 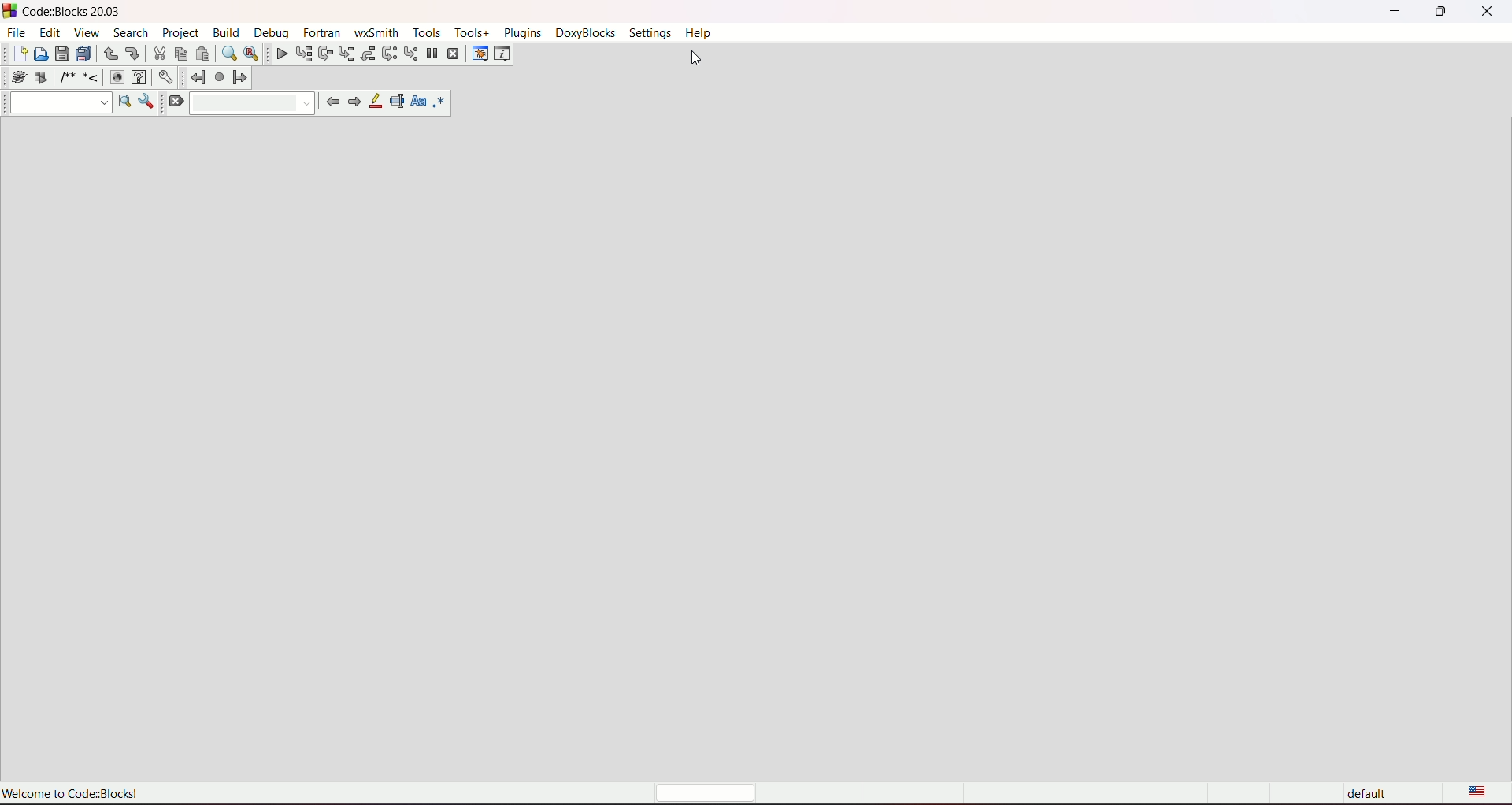 I want to click on run search, so click(x=125, y=102).